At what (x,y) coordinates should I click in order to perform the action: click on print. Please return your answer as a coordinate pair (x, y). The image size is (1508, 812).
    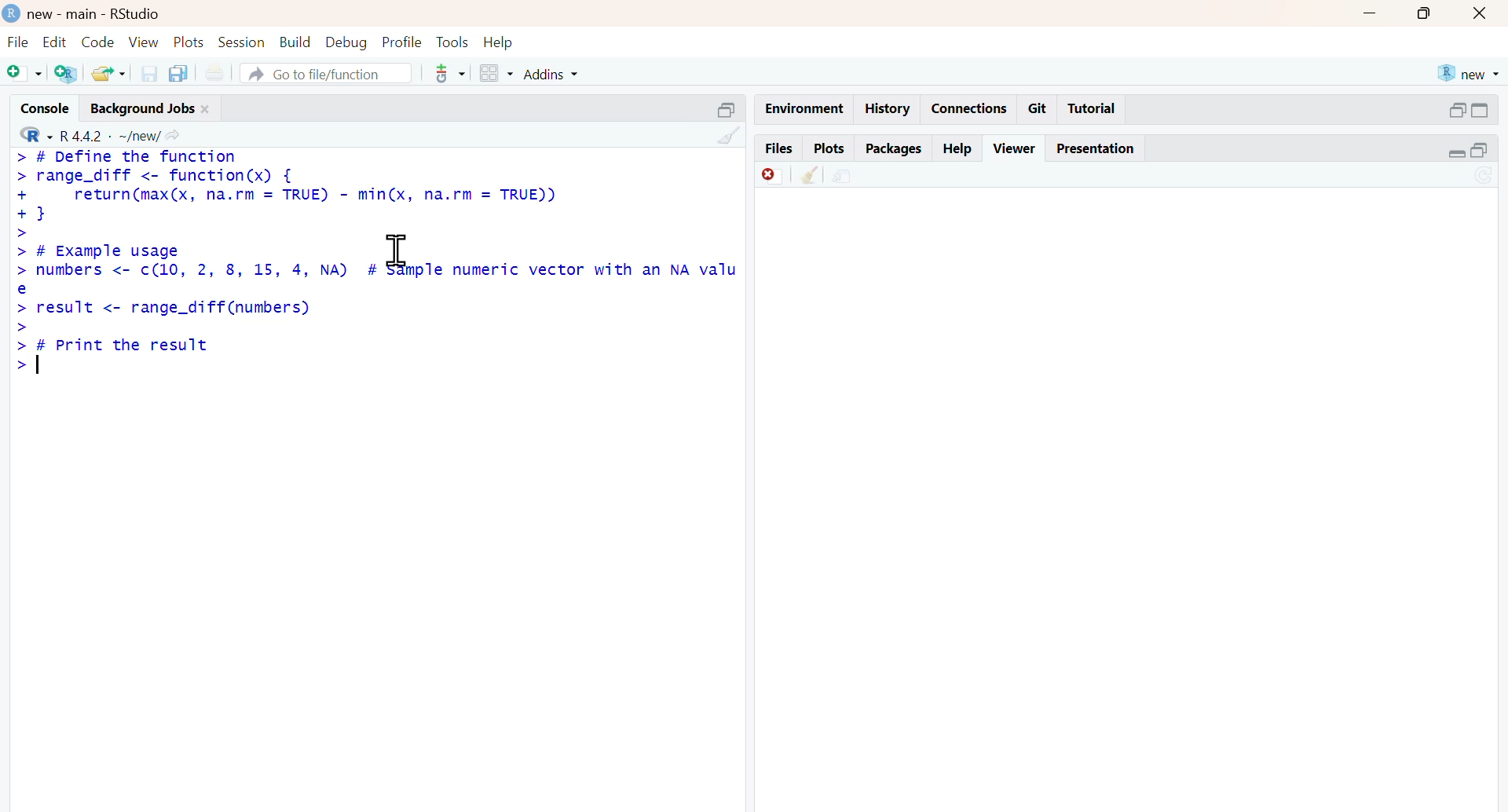
    Looking at the image, I should click on (215, 74).